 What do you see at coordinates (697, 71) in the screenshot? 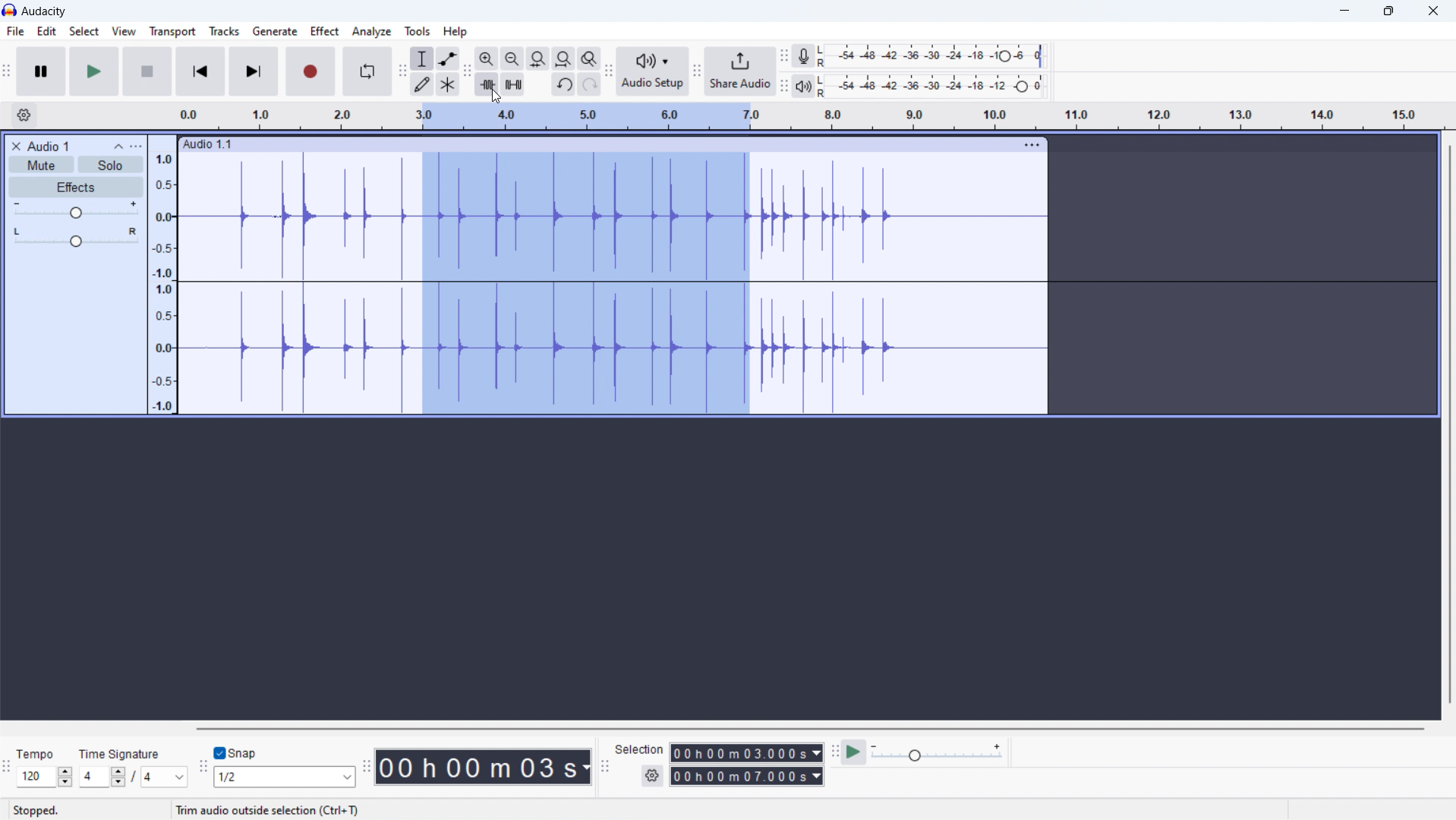
I see `share audio toolbar` at bounding box center [697, 71].